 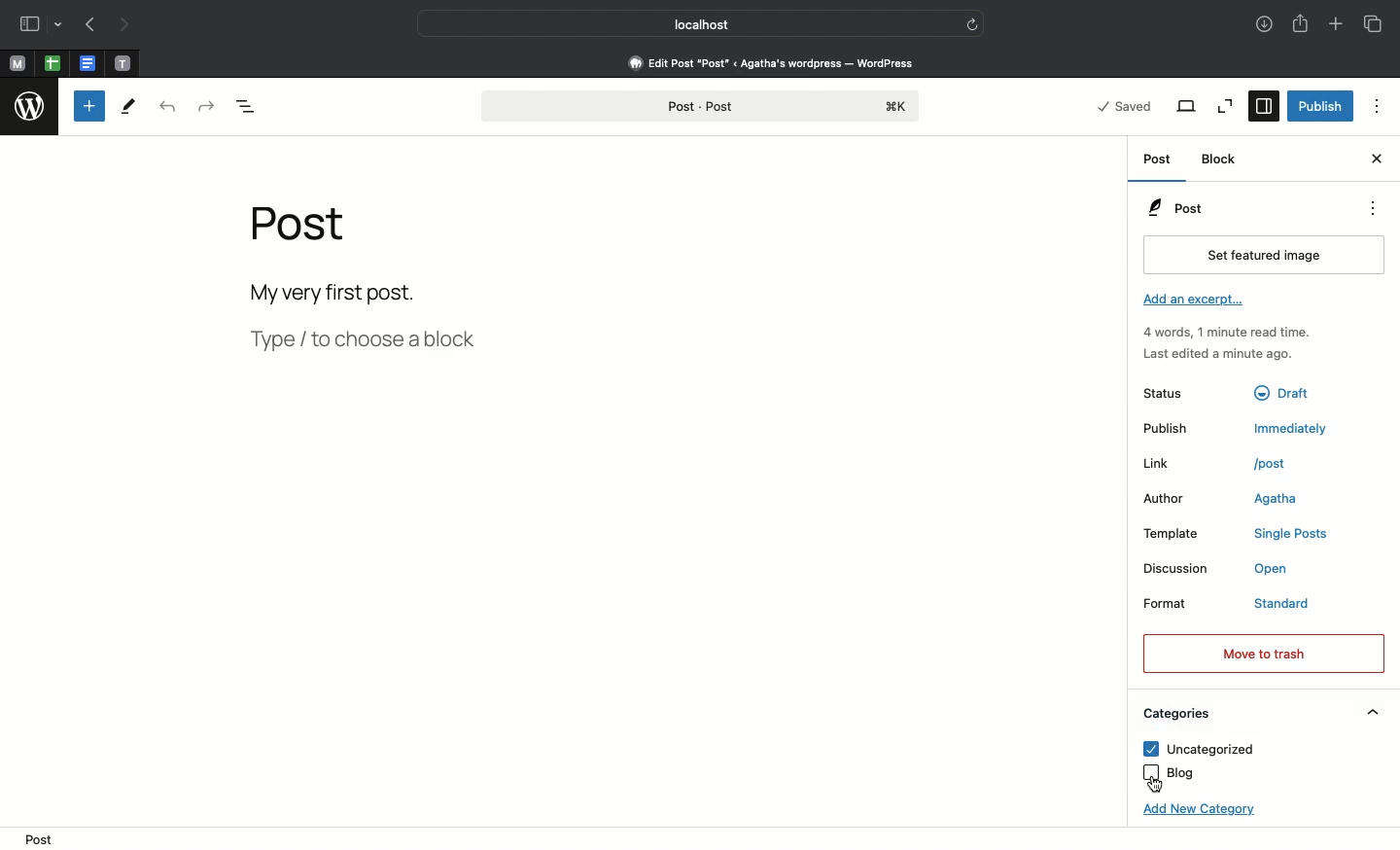 What do you see at coordinates (30, 109) in the screenshot?
I see `Wordpress` at bounding box center [30, 109].